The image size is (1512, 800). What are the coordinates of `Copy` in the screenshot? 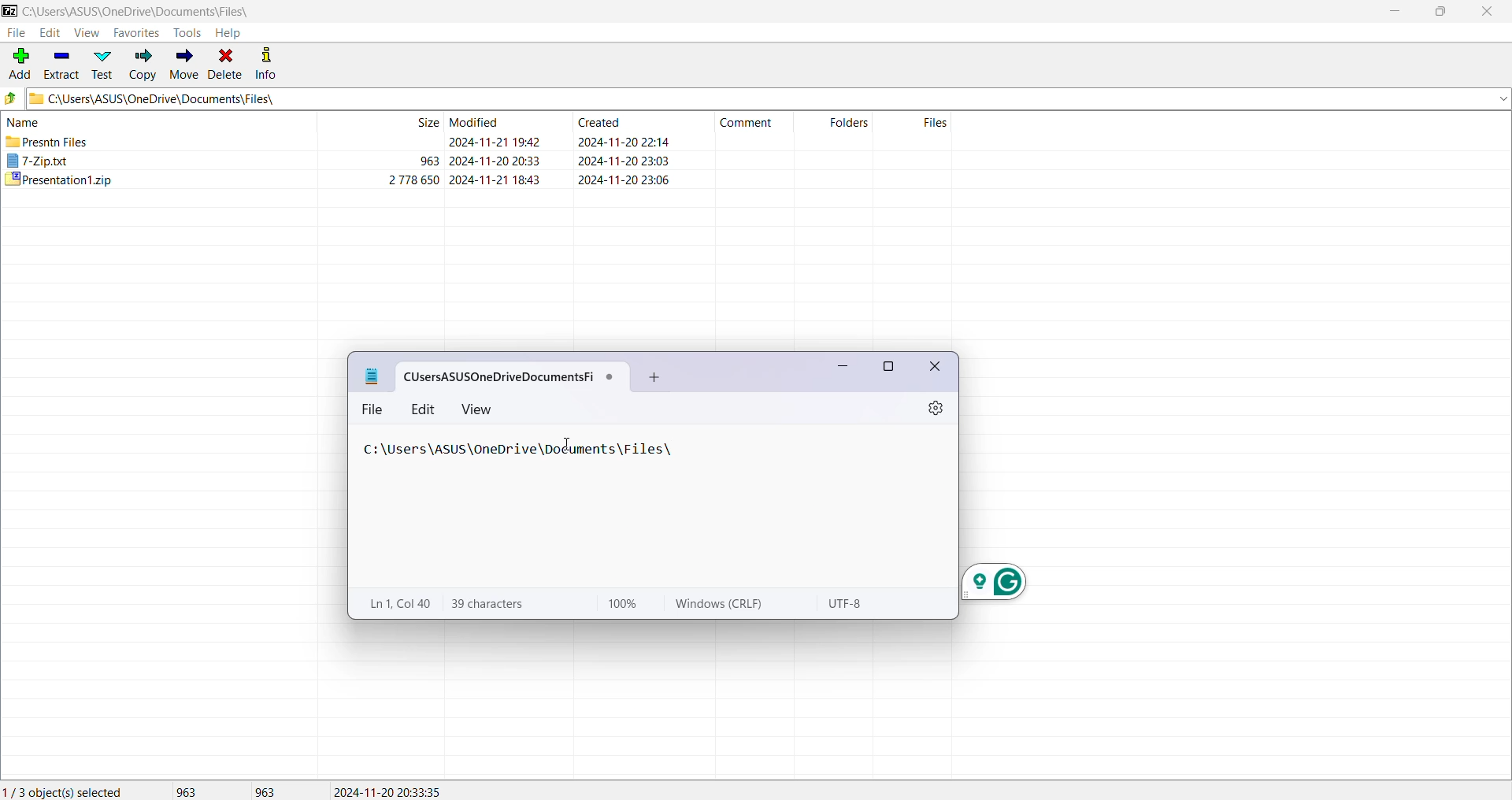 It's located at (140, 65).